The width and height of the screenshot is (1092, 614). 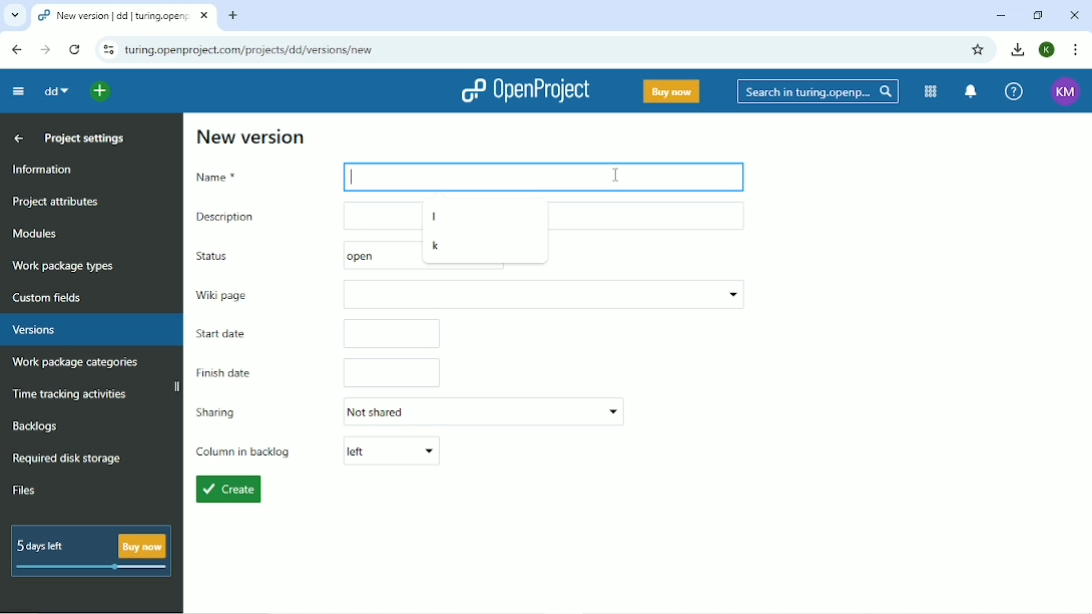 I want to click on Customize and control google chrome, so click(x=1078, y=50).